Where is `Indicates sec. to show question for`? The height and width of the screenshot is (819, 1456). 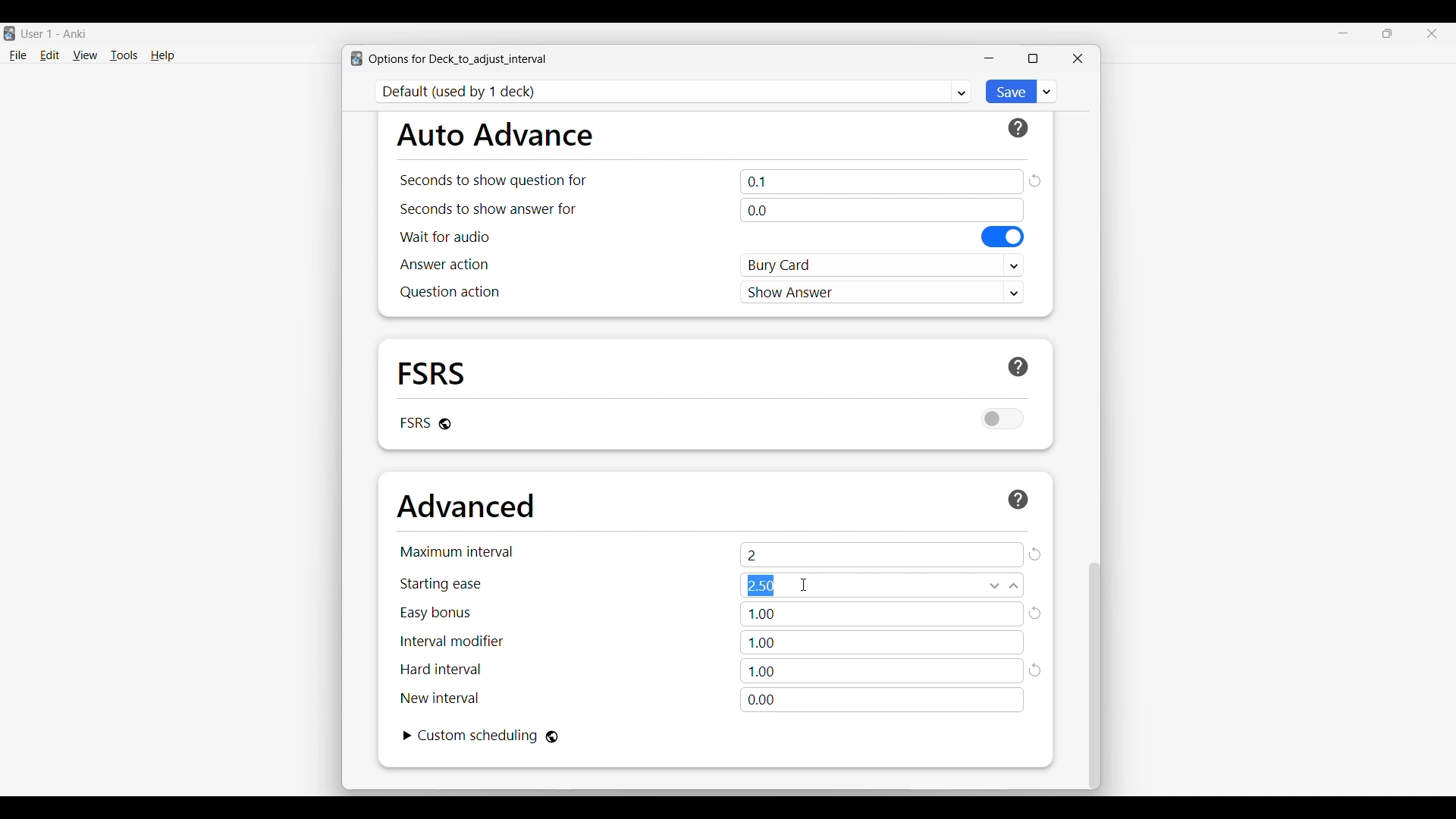
Indicates sec. to show question for is located at coordinates (492, 180).